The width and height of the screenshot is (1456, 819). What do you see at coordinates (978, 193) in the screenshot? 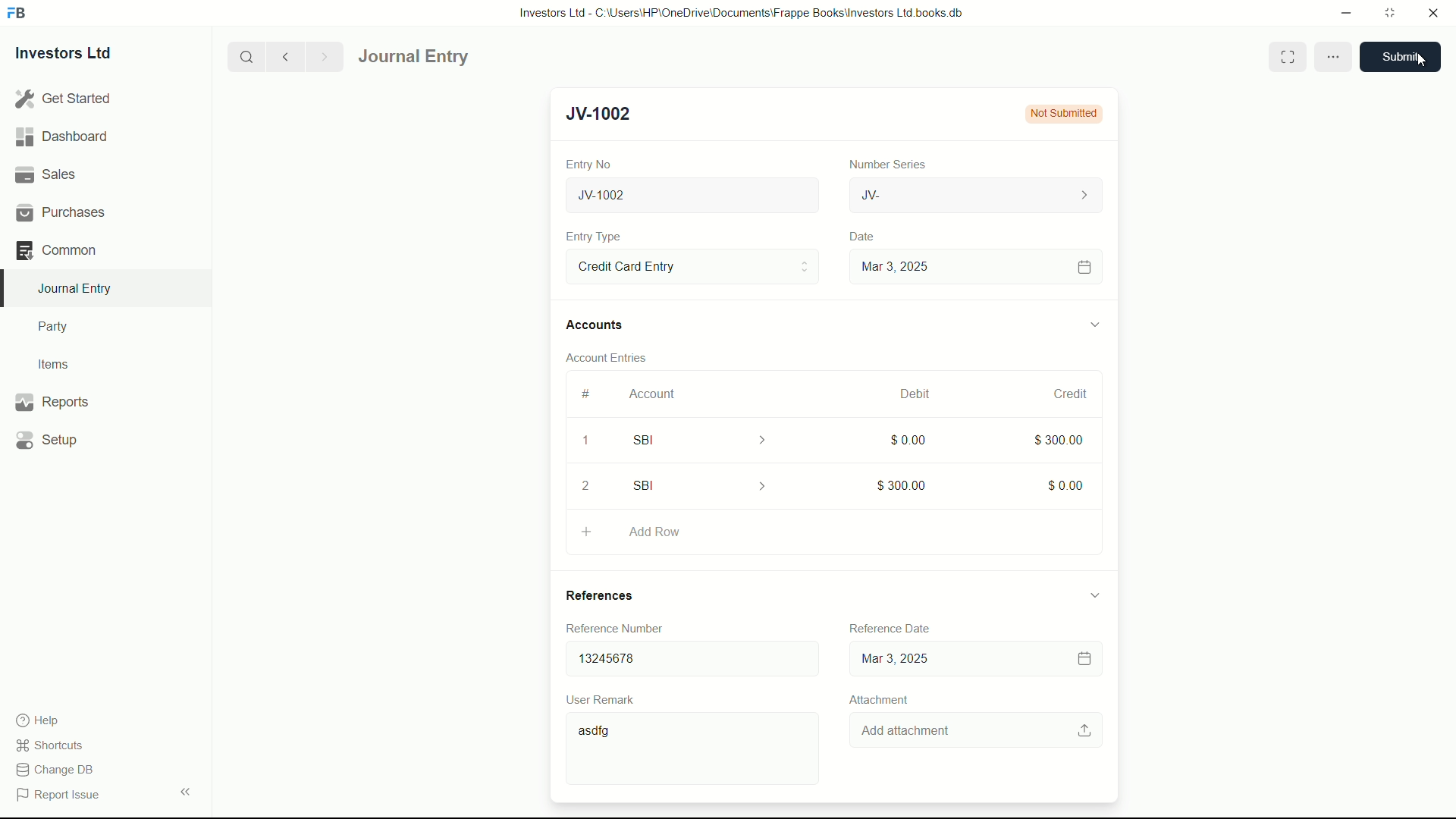
I see `JV` at bounding box center [978, 193].